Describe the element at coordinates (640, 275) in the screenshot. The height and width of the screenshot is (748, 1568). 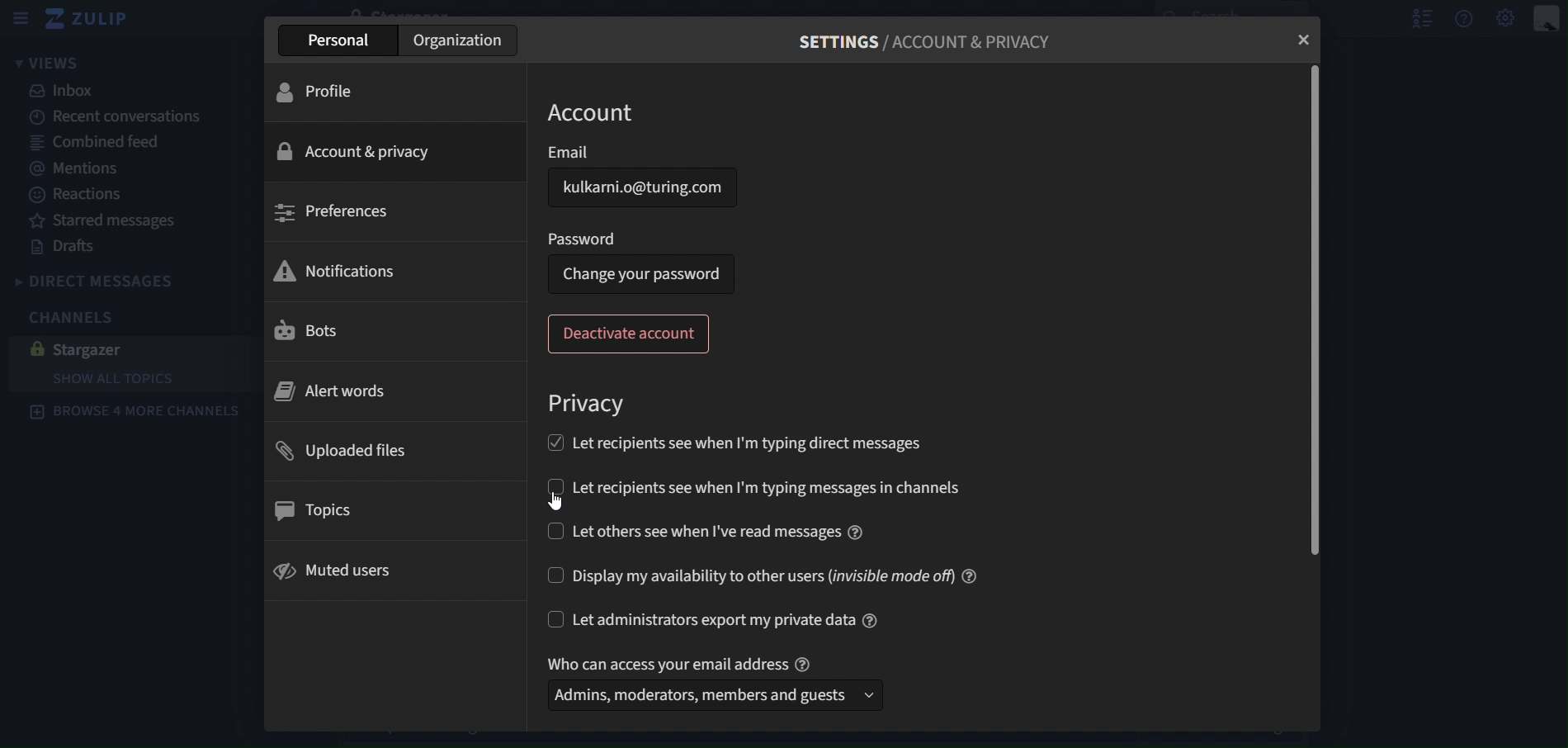
I see `change your password` at that location.